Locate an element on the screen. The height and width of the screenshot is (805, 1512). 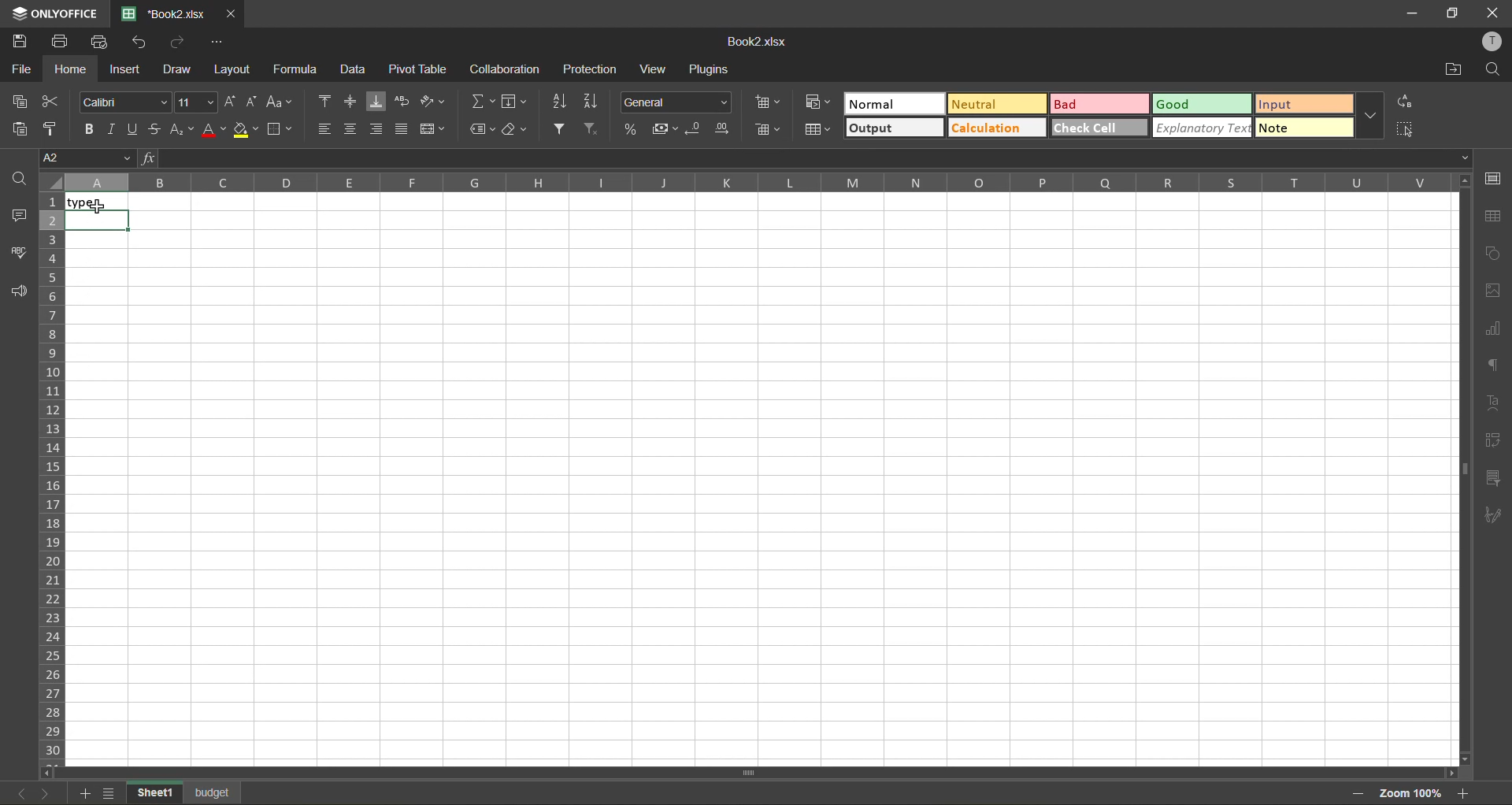
named ranges is located at coordinates (482, 128).